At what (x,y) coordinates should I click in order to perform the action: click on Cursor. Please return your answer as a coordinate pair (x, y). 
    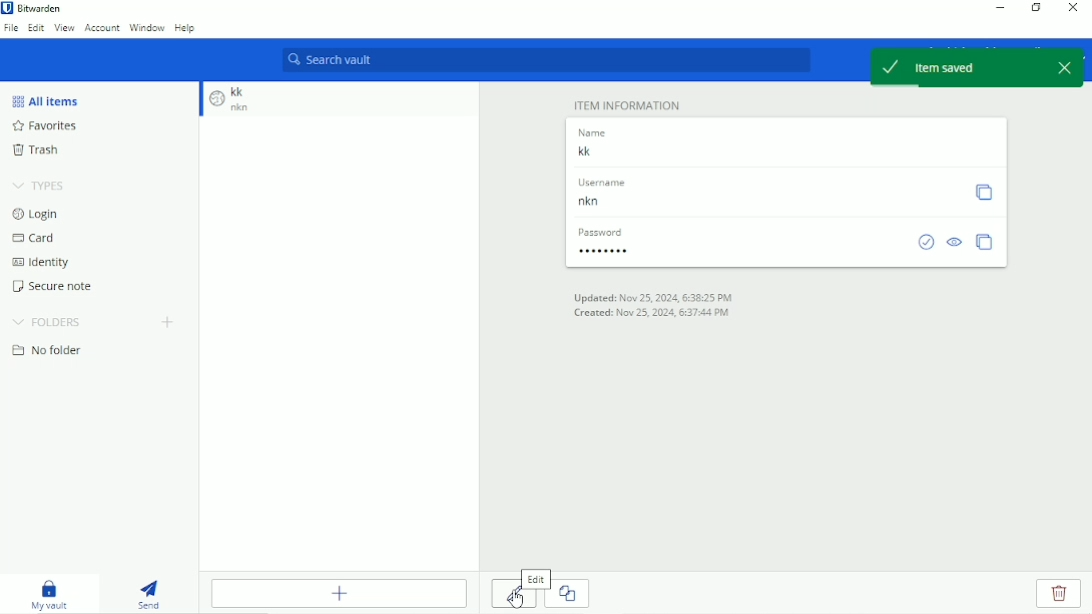
    Looking at the image, I should click on (516, 602).